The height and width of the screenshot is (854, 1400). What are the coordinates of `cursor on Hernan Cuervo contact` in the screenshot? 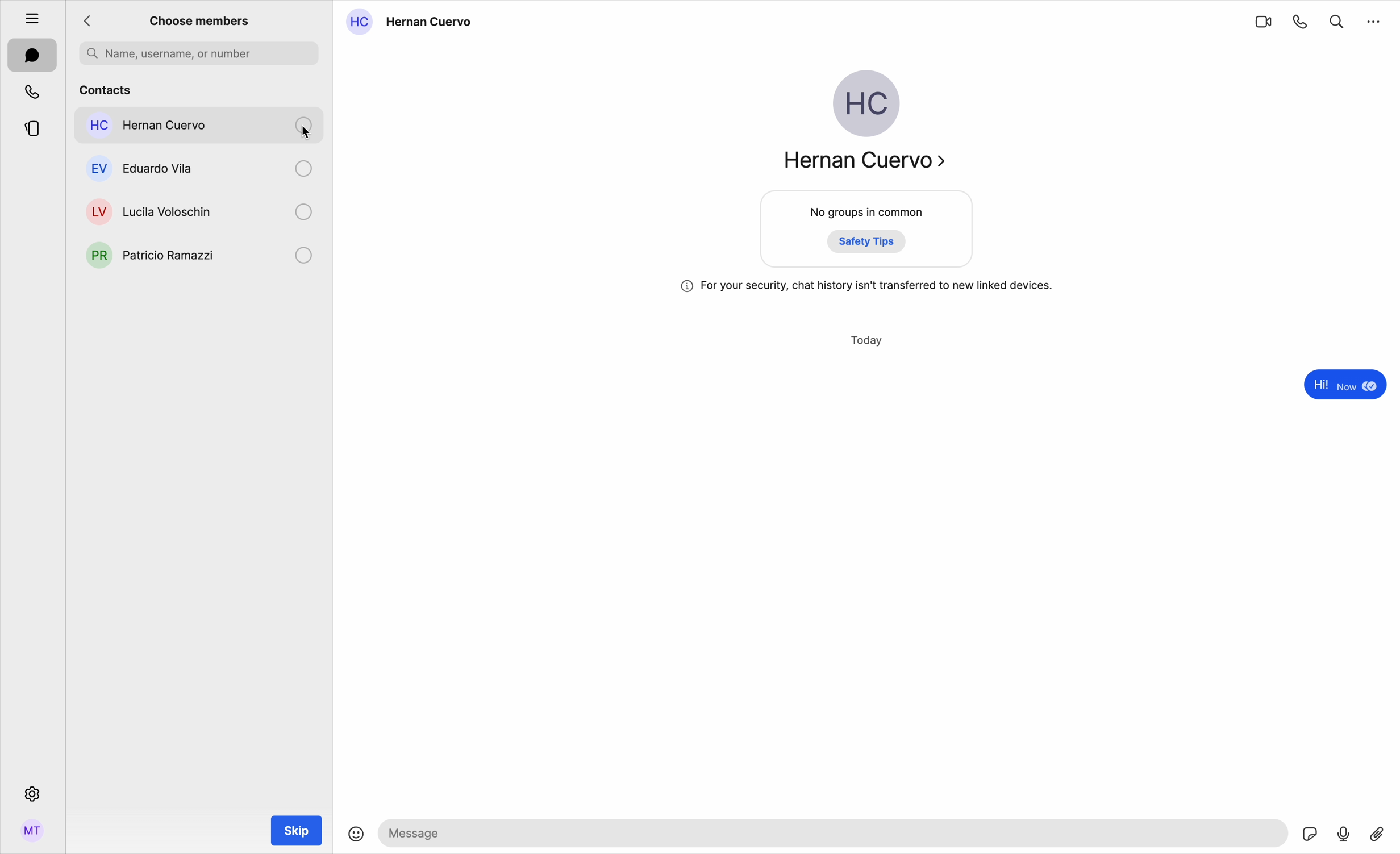 It's located at (201, 130).